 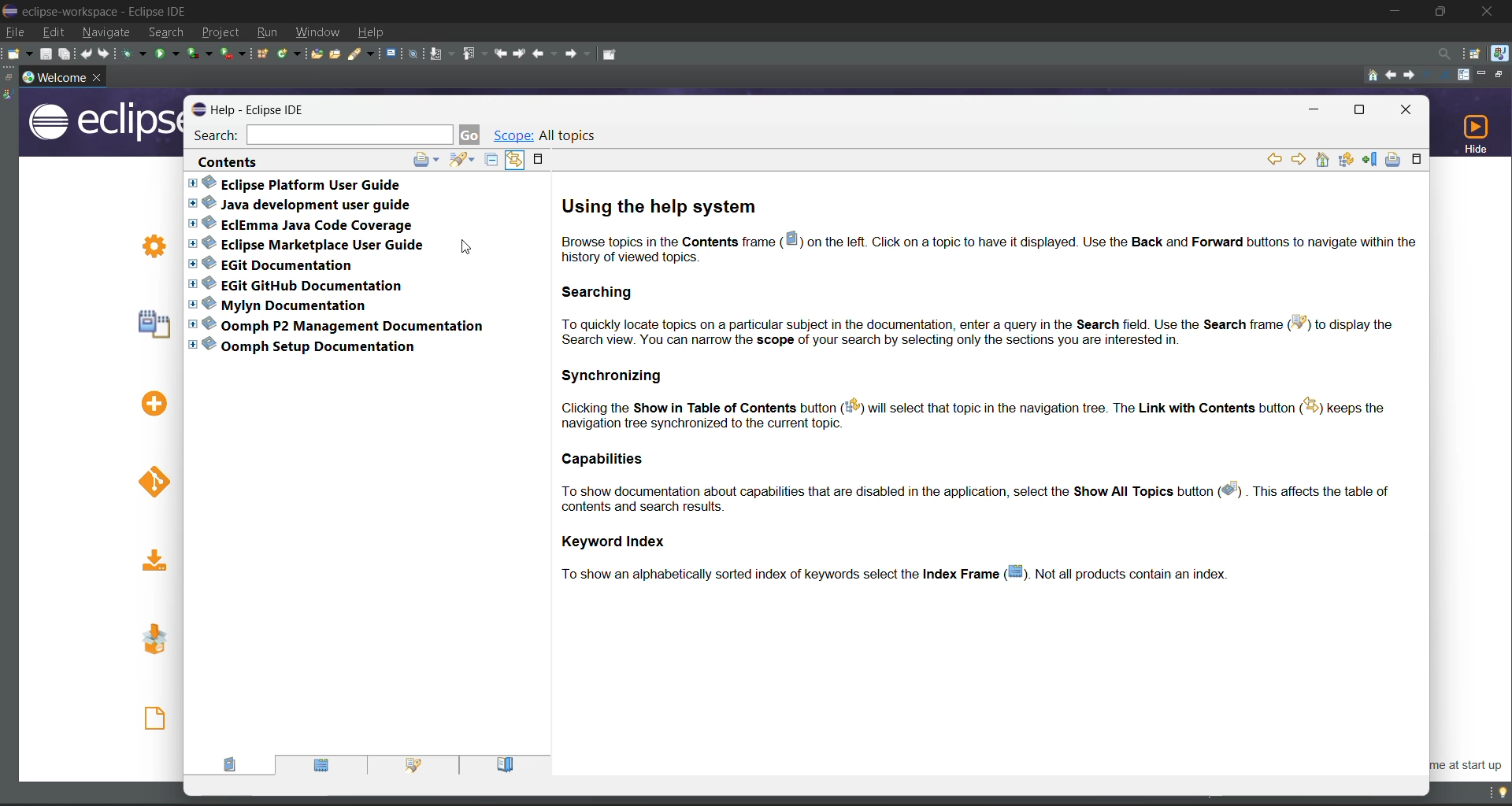 I want to click on search, so click(x=168, y=32).